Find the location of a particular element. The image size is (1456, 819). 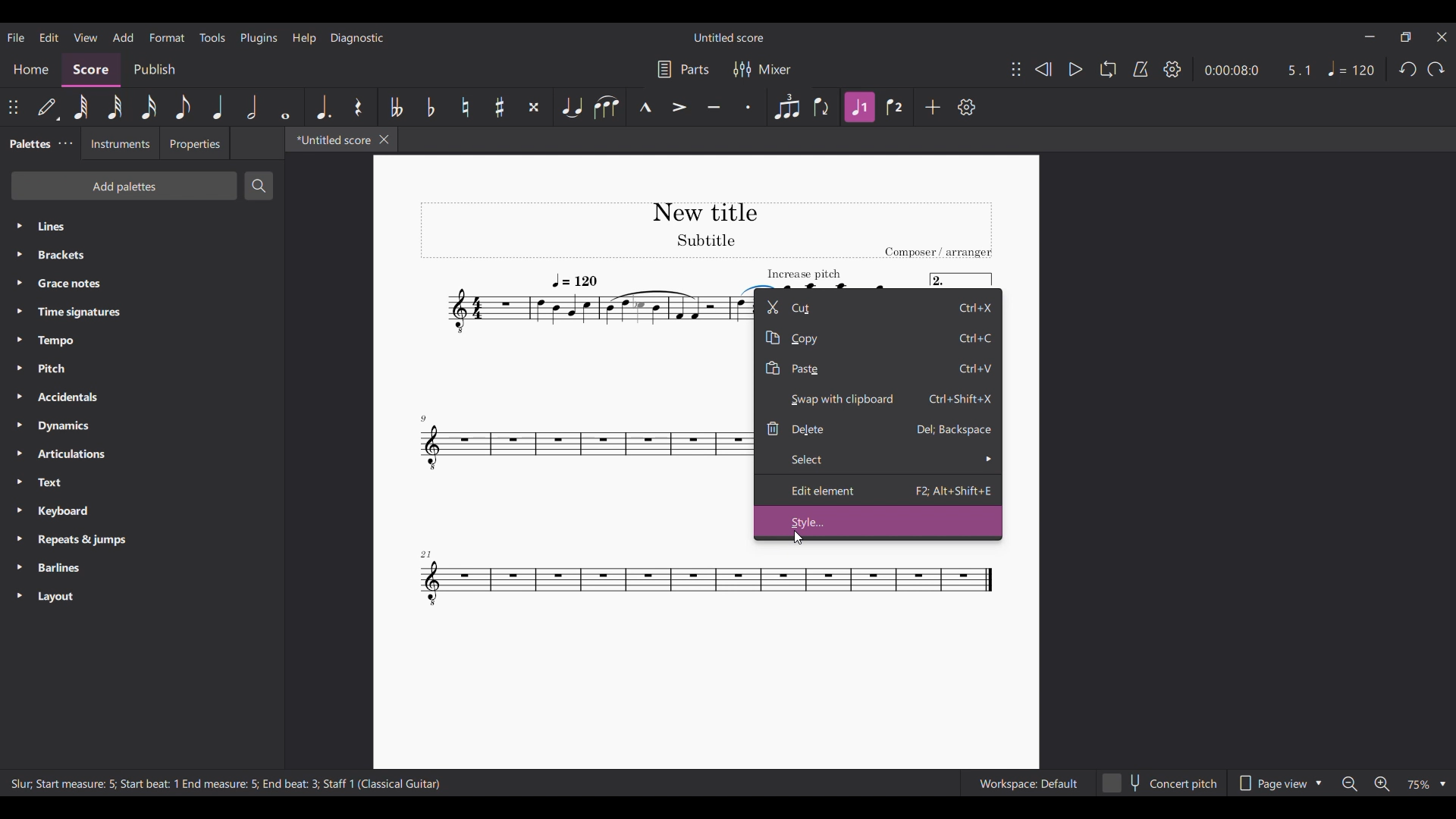

Plugins menu is located at coordinates (259, 39).